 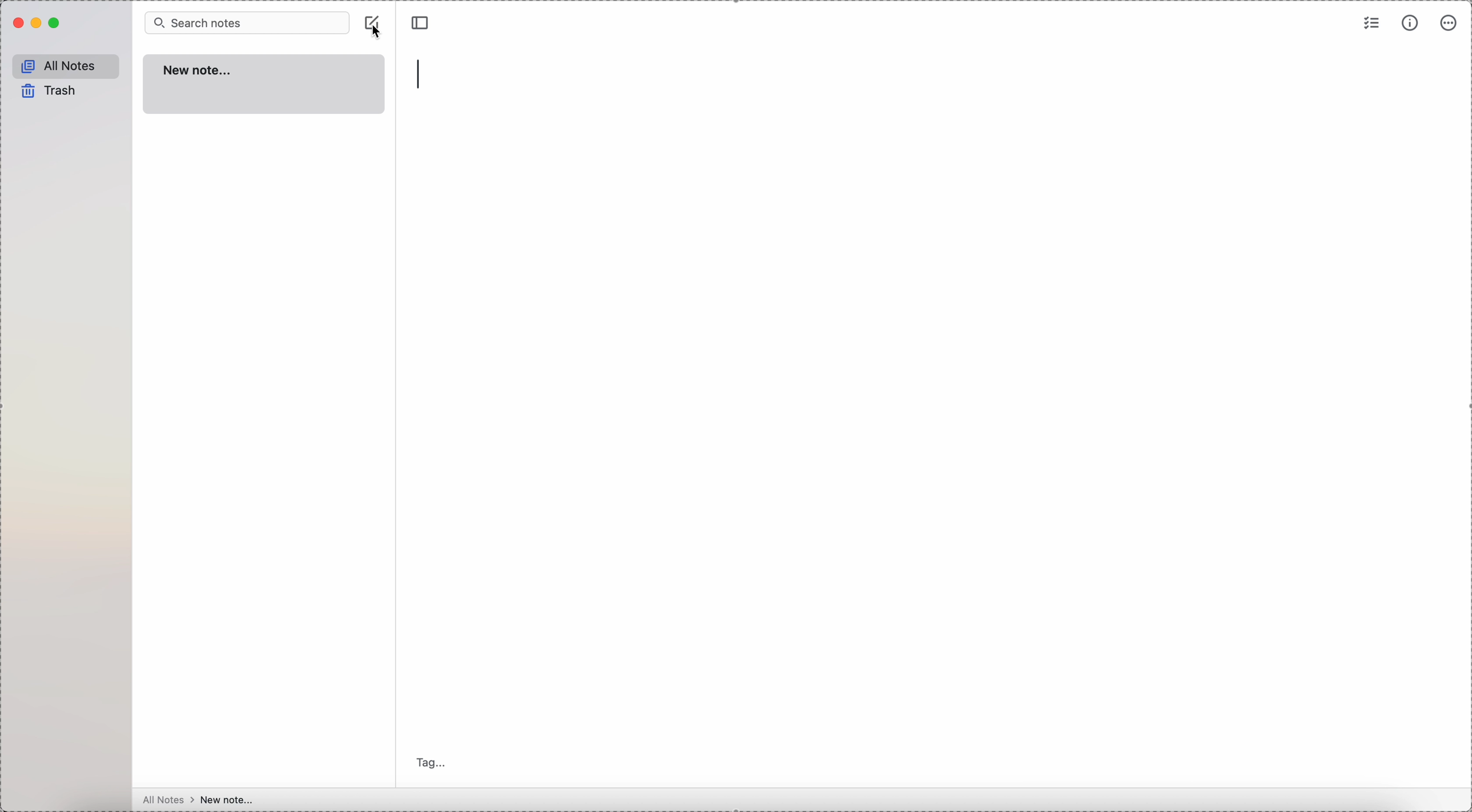 I want to click on create note, so click(x=374, y=26).